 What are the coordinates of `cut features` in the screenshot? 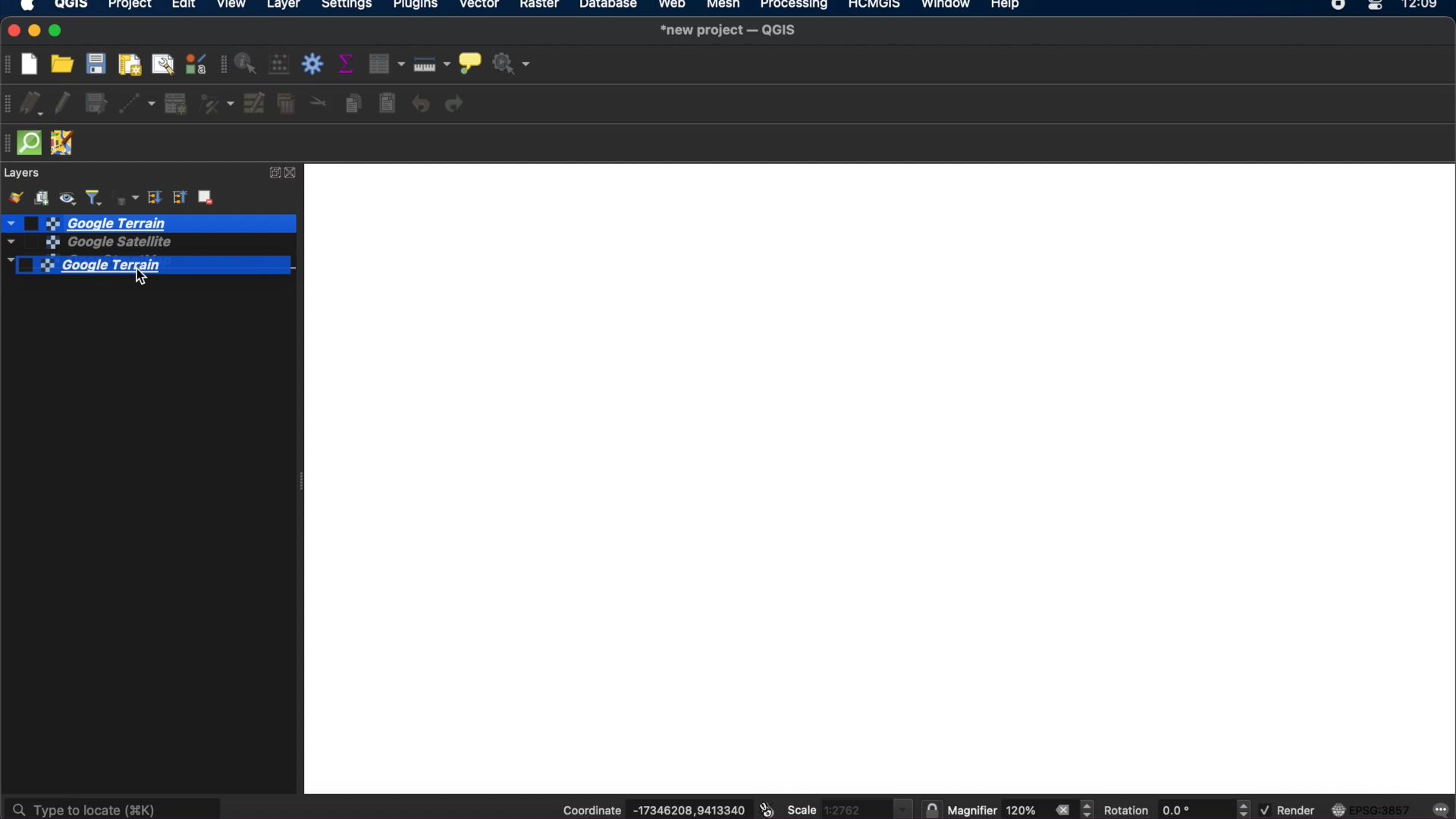 It's located at (318, 102).